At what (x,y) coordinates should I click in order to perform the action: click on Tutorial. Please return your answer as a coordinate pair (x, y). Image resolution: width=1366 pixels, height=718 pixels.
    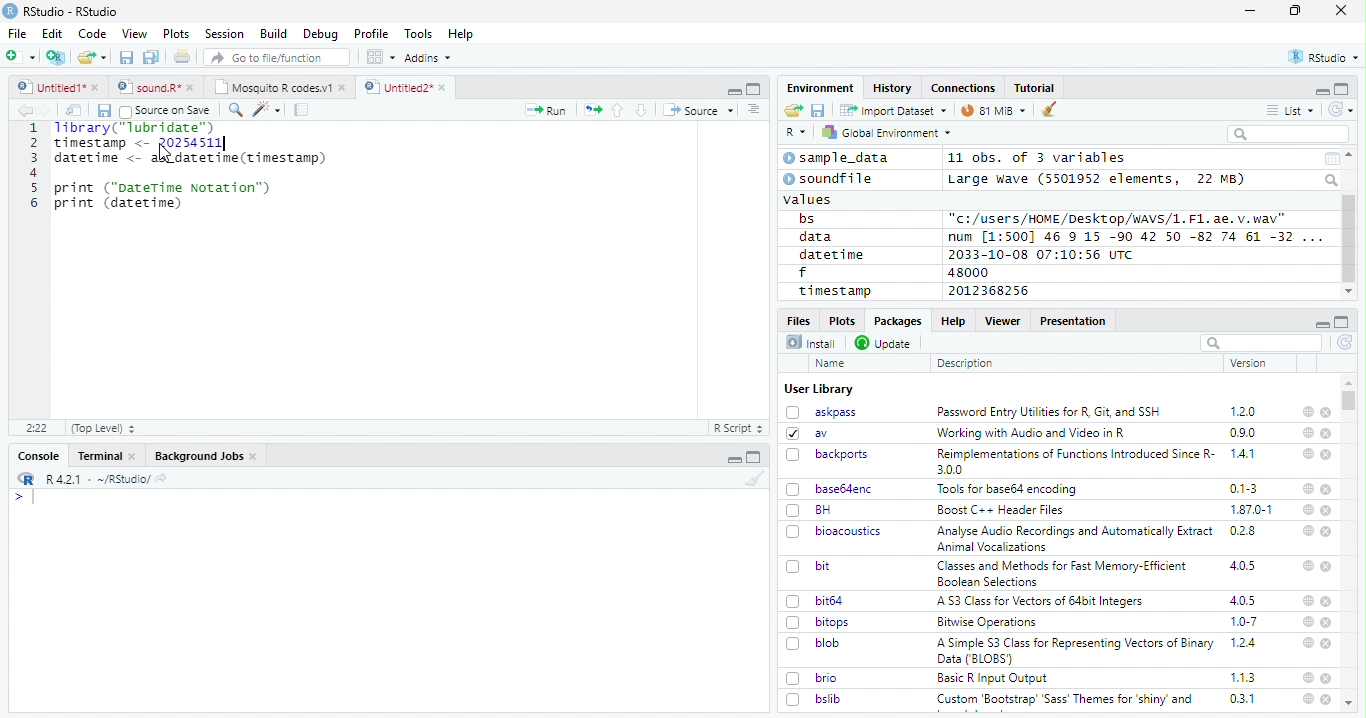
    Looking at the image, I should click on (1036, 88).